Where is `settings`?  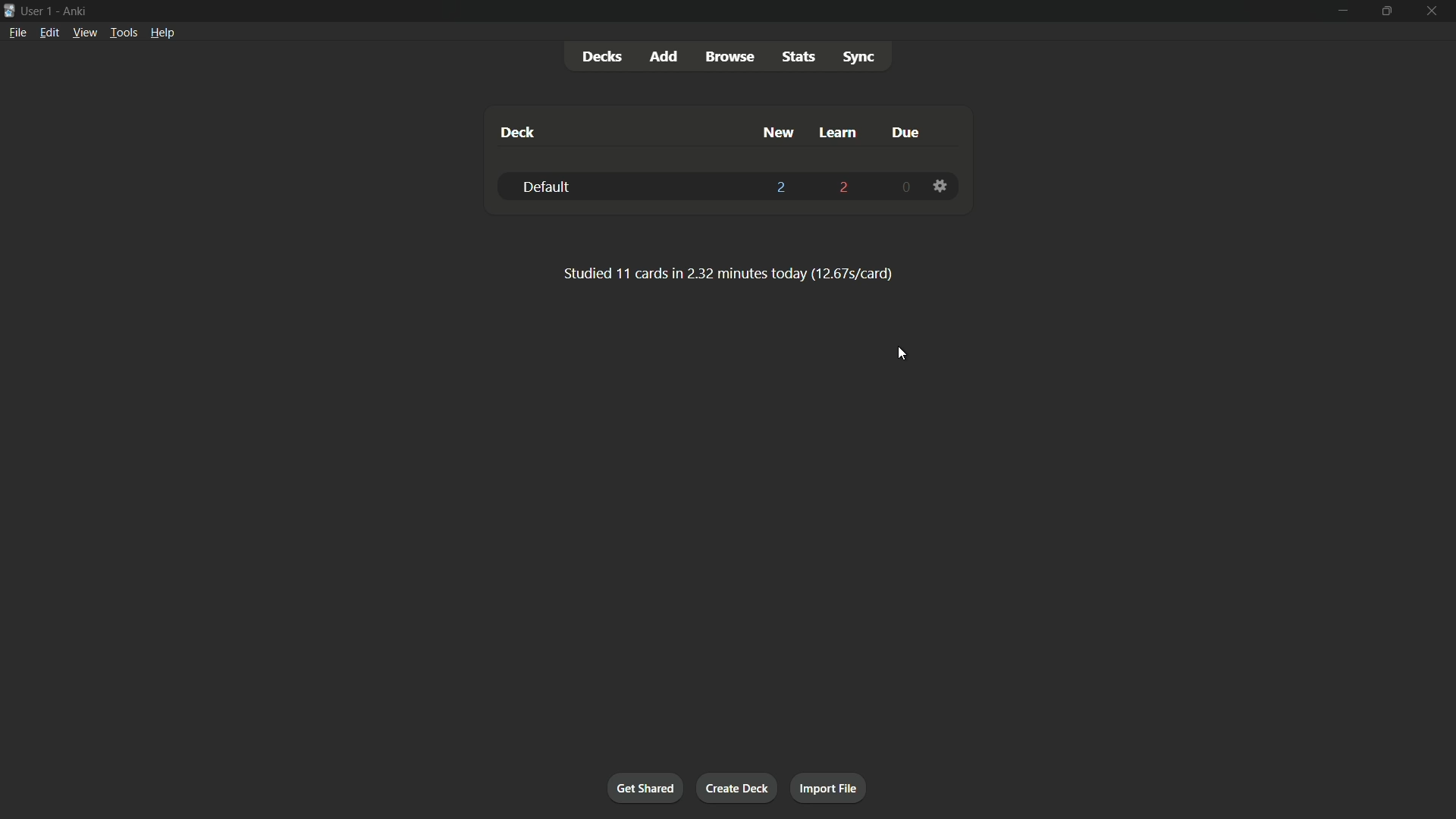
settings is located at coordinates (939, 185).